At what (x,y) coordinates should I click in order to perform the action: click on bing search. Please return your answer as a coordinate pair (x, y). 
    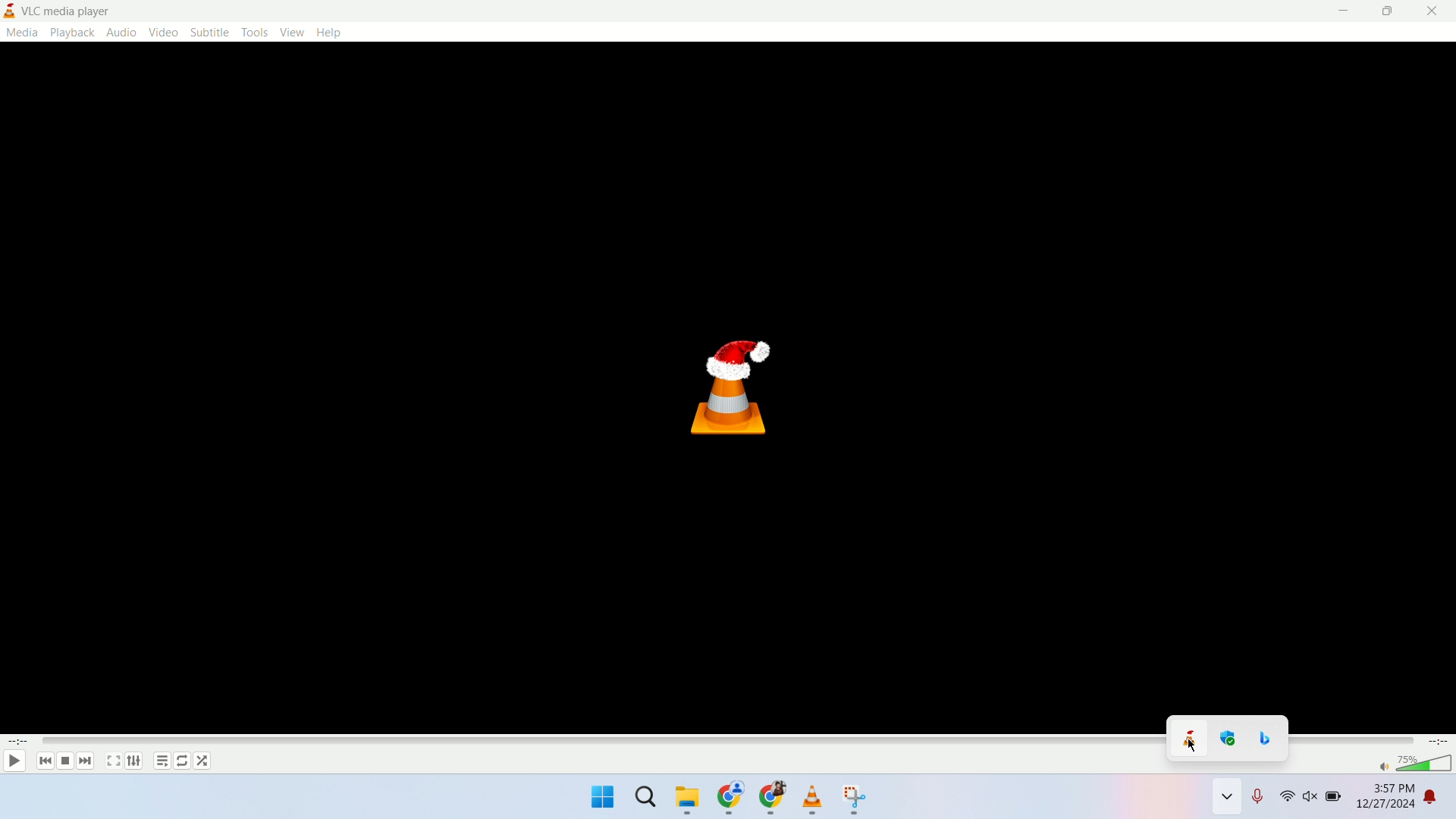
    Looking at the image, I should click on (1268, 738).